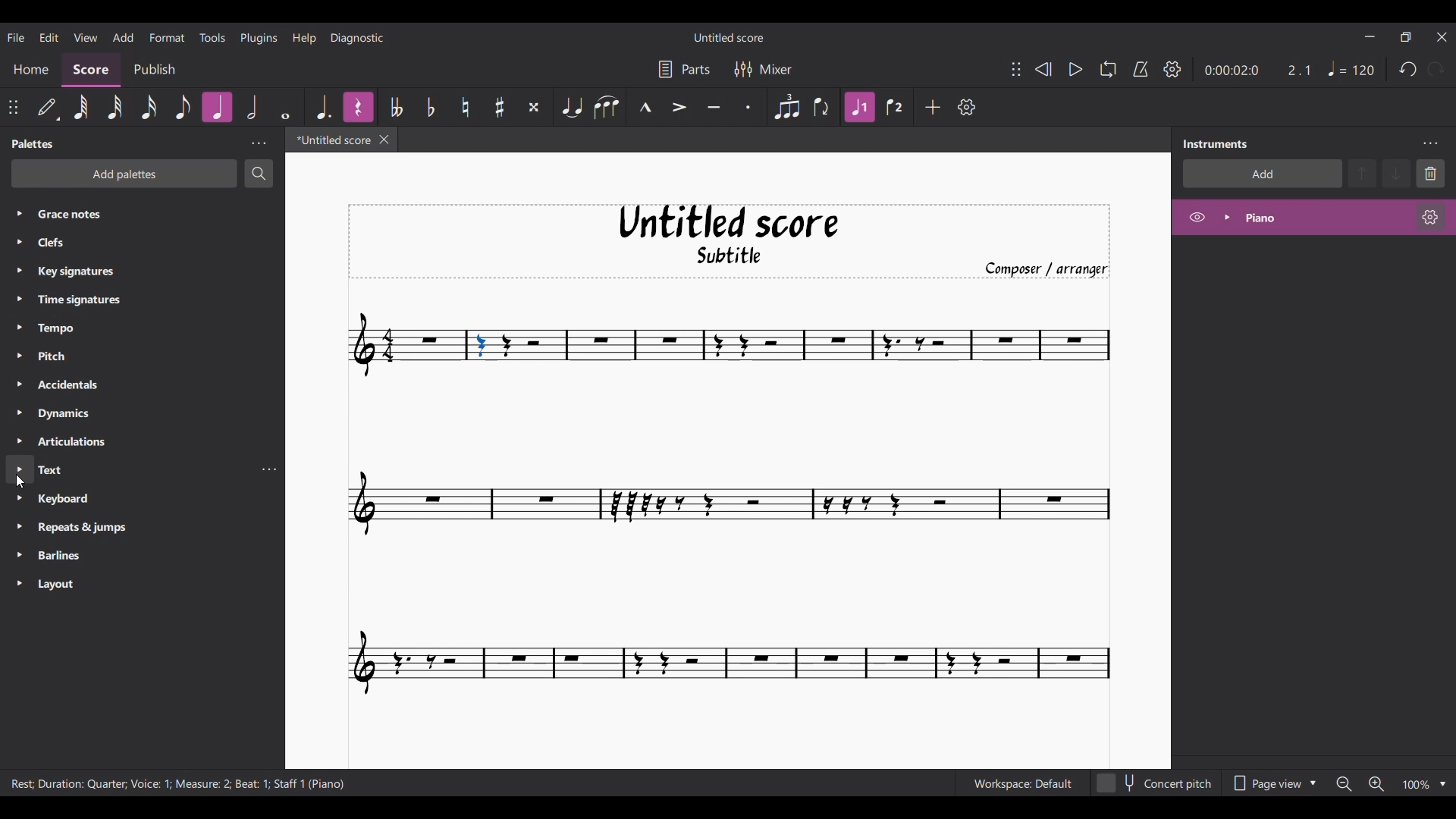 Image resolution: width=1456 pixels, height=819 pixels. Describe the element at coordinates (714, 107) in the screenshot. I see `Tenuto` at that location.